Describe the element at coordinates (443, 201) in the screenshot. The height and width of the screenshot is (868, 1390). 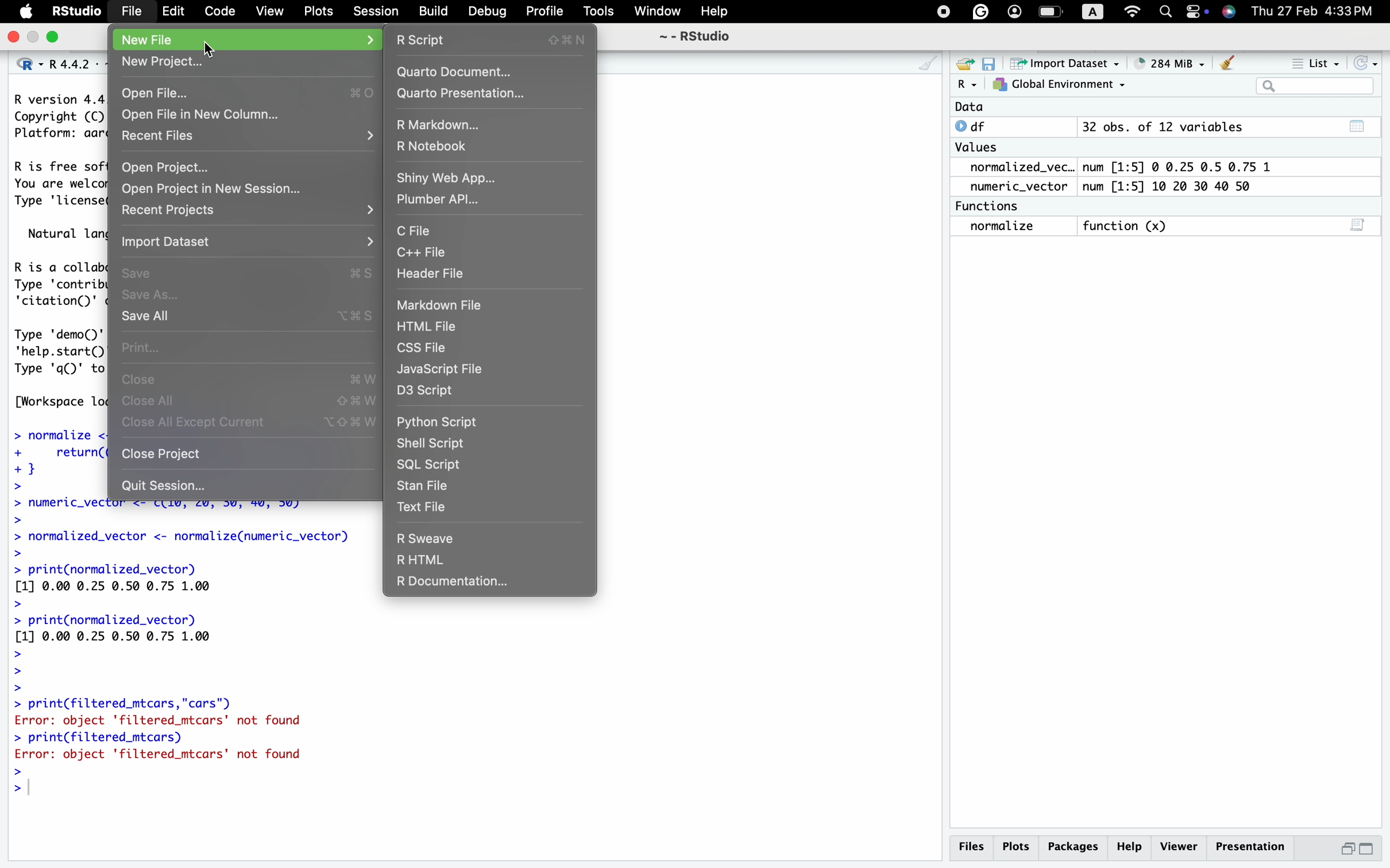
I see `Plumber API...` at that location.